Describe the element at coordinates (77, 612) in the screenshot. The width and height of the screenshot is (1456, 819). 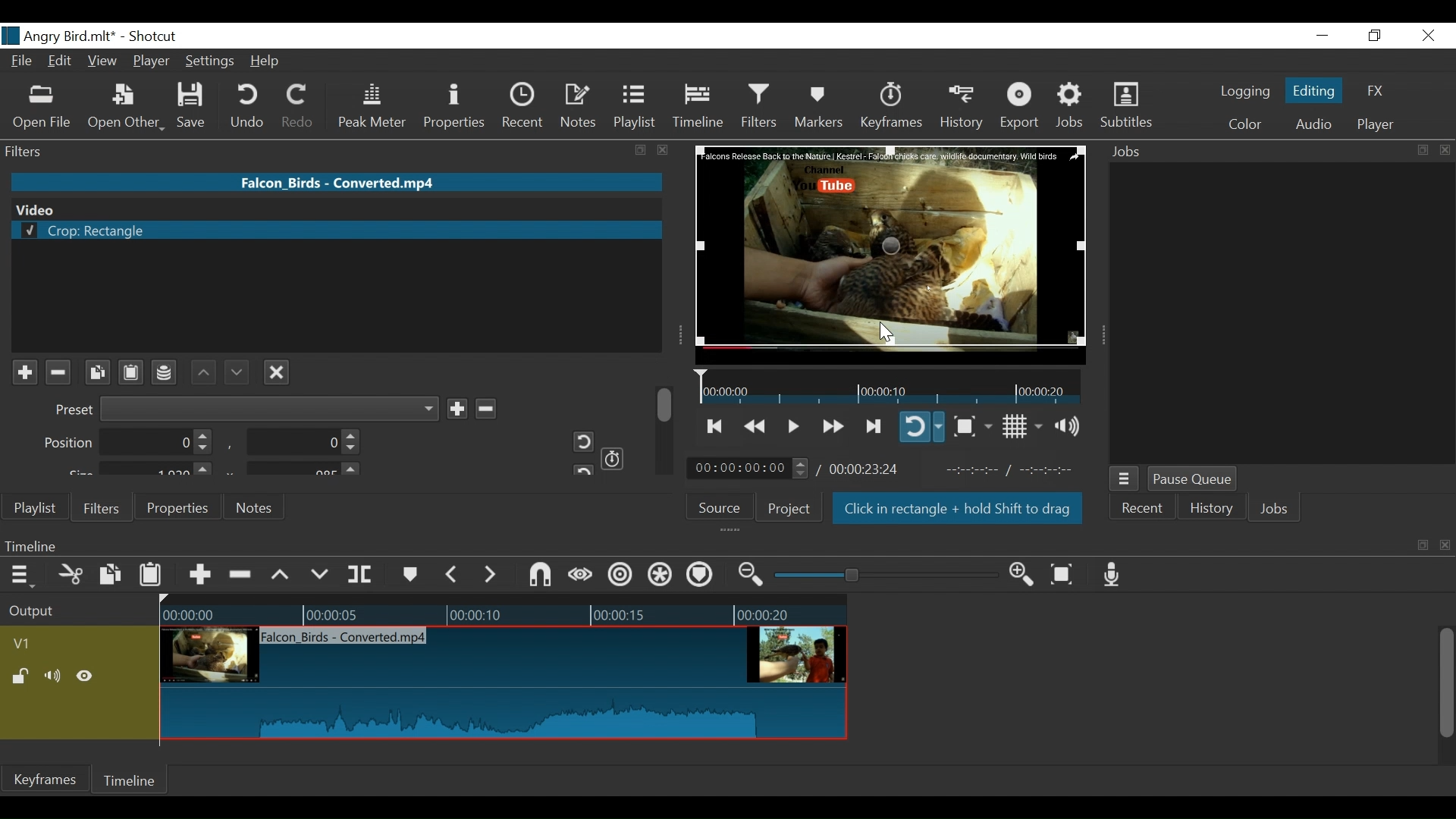
I see `Output` at that location.